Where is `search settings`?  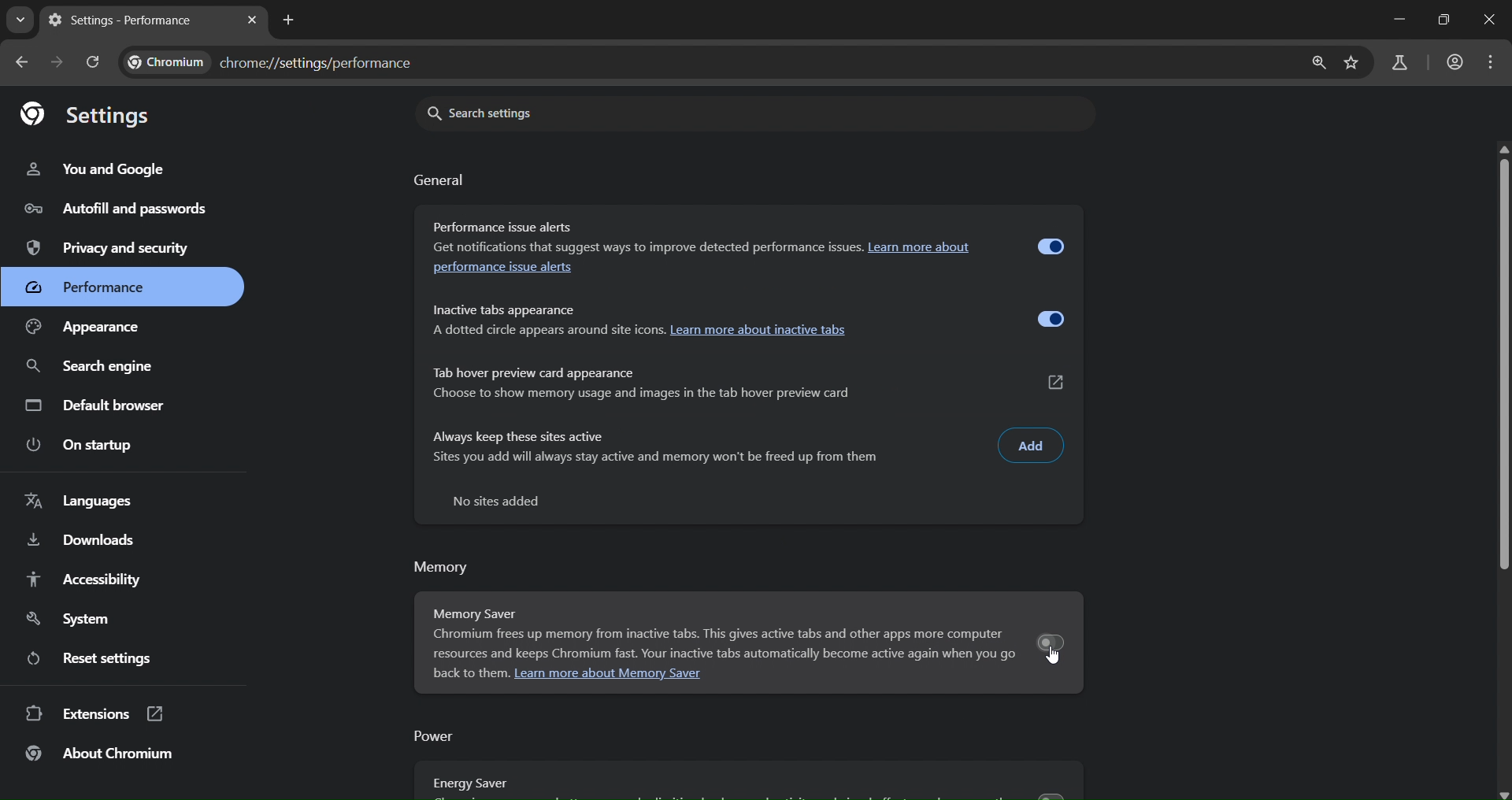
search settings is located at coordinates (754, 113).